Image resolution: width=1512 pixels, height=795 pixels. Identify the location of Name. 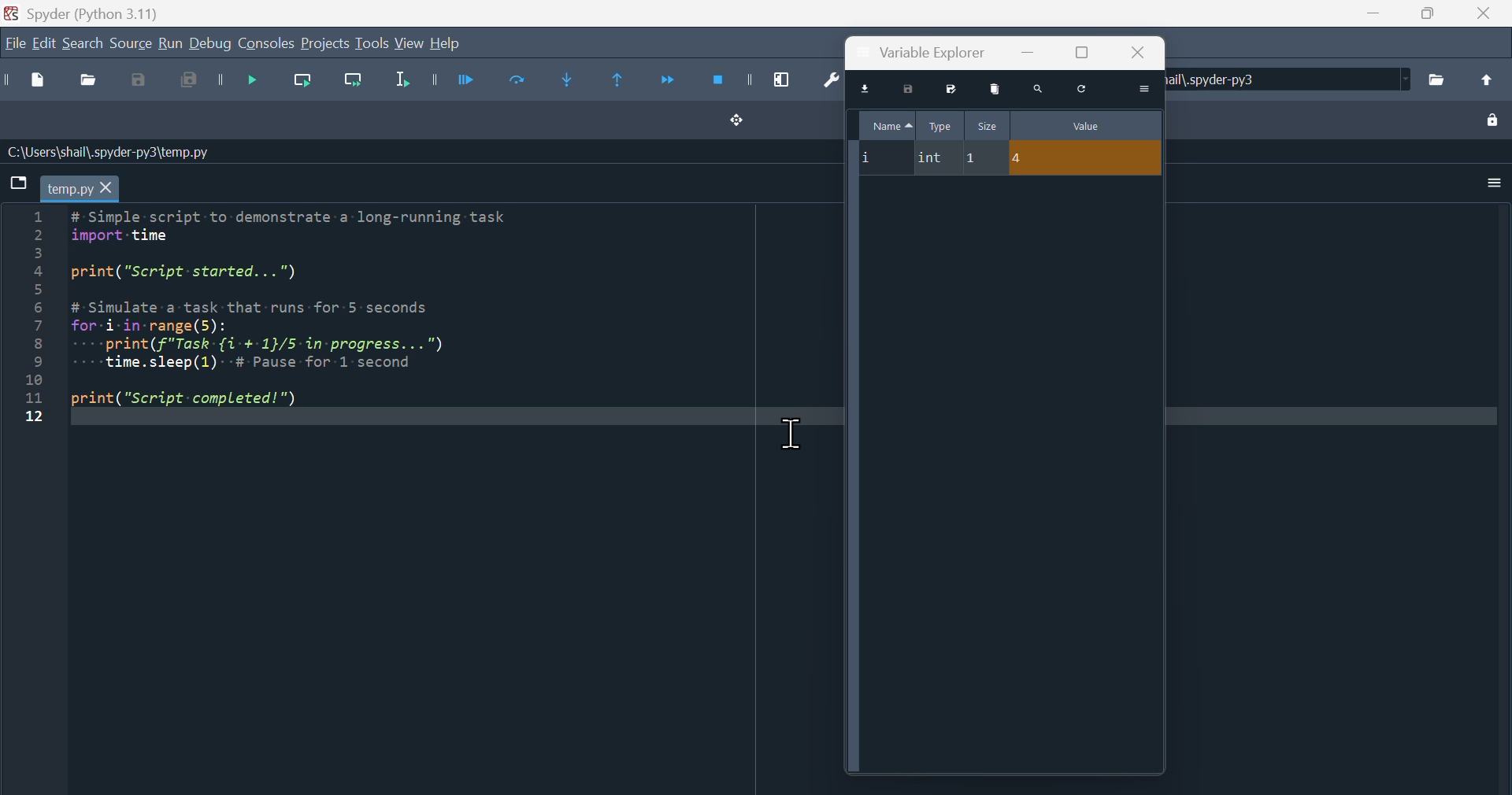
(886, 123).